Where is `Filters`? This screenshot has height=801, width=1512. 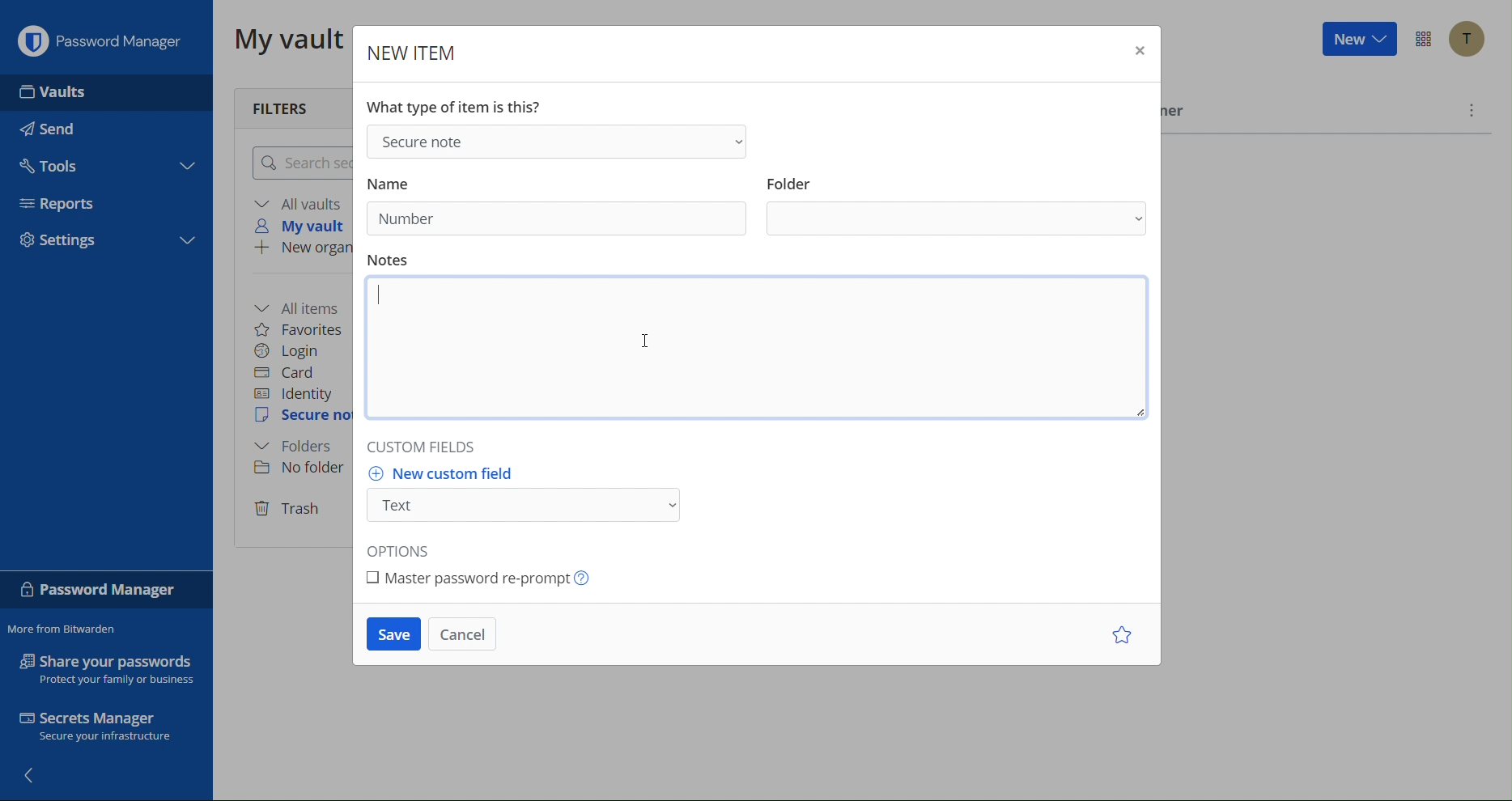
Filters is located at coordinates (291, 104).